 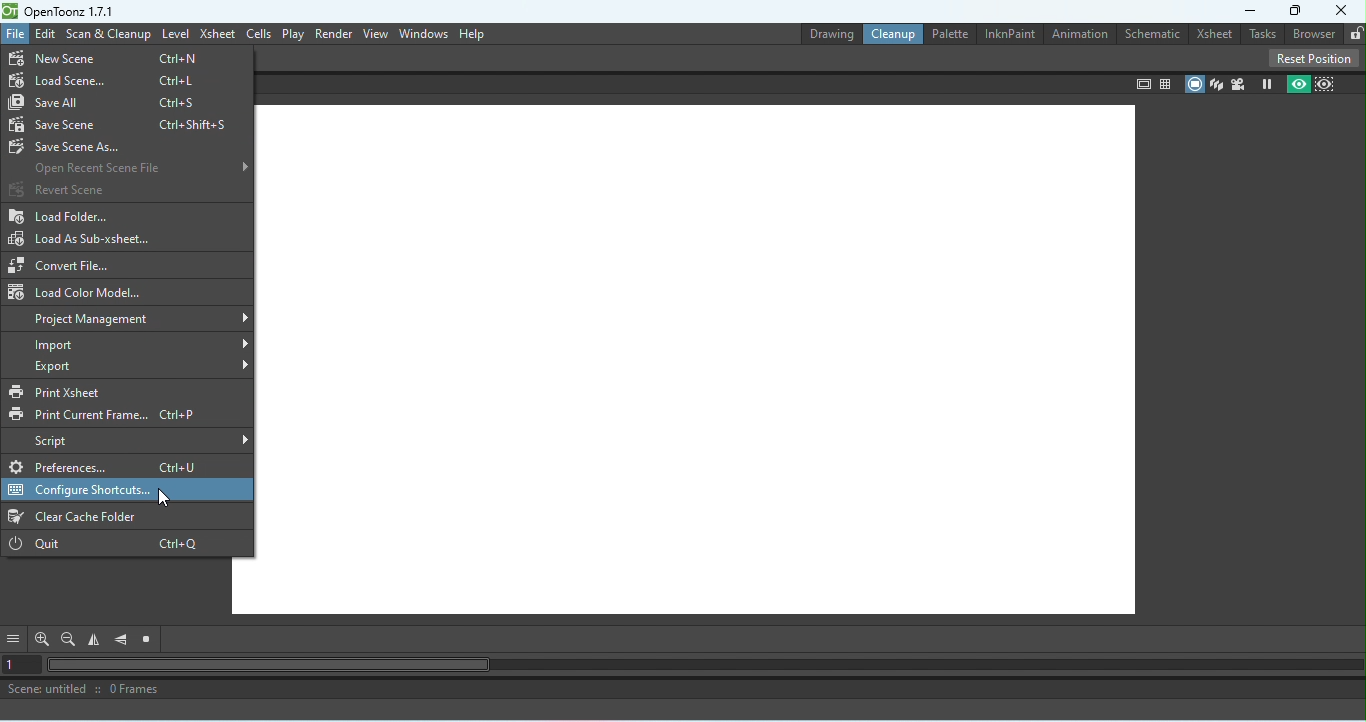 What do you see at coordinates (710, 362) in the screenshot?
I see `Canvas` at bounding box center [710, 362].